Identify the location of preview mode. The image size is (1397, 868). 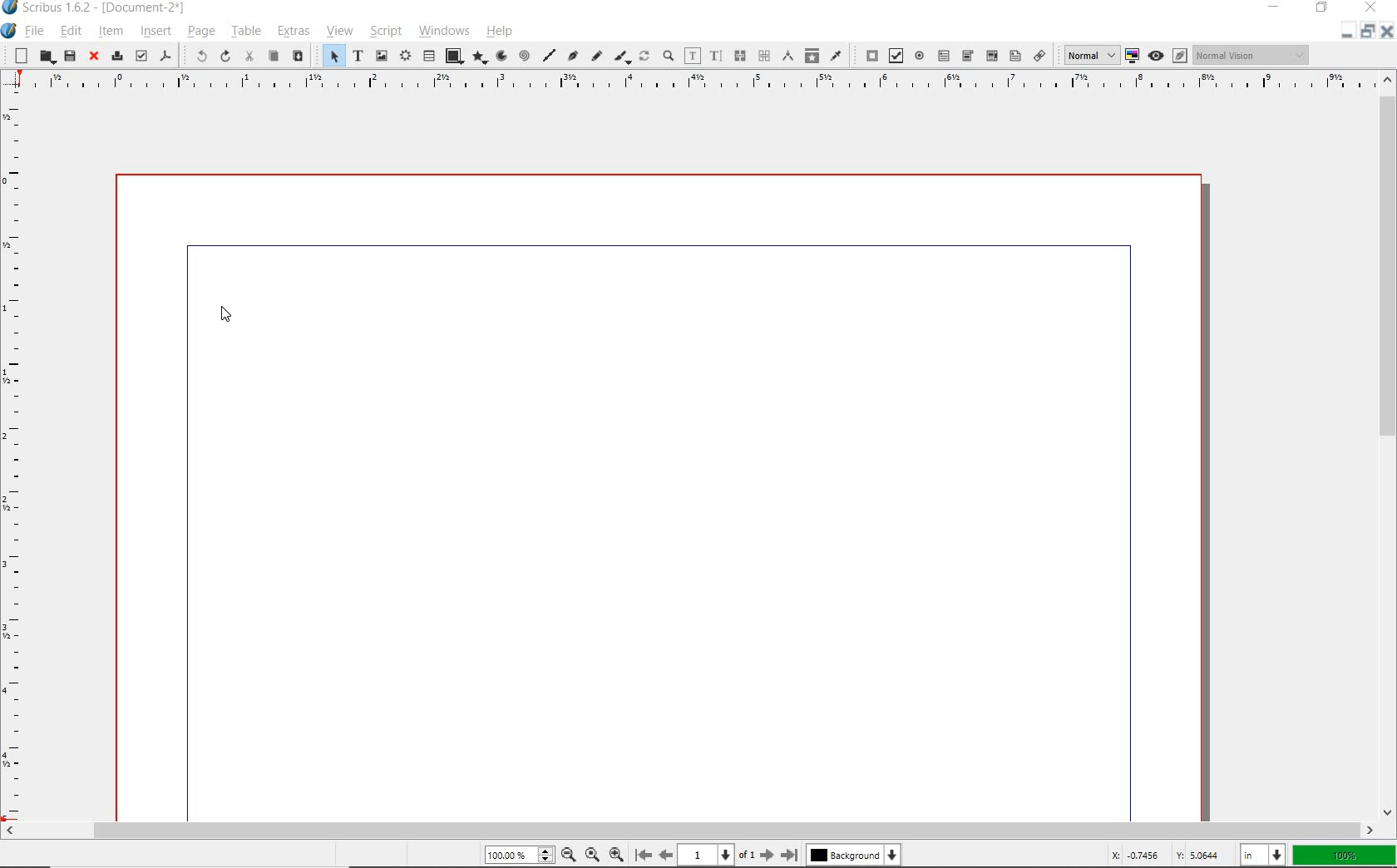
(1166, 56).